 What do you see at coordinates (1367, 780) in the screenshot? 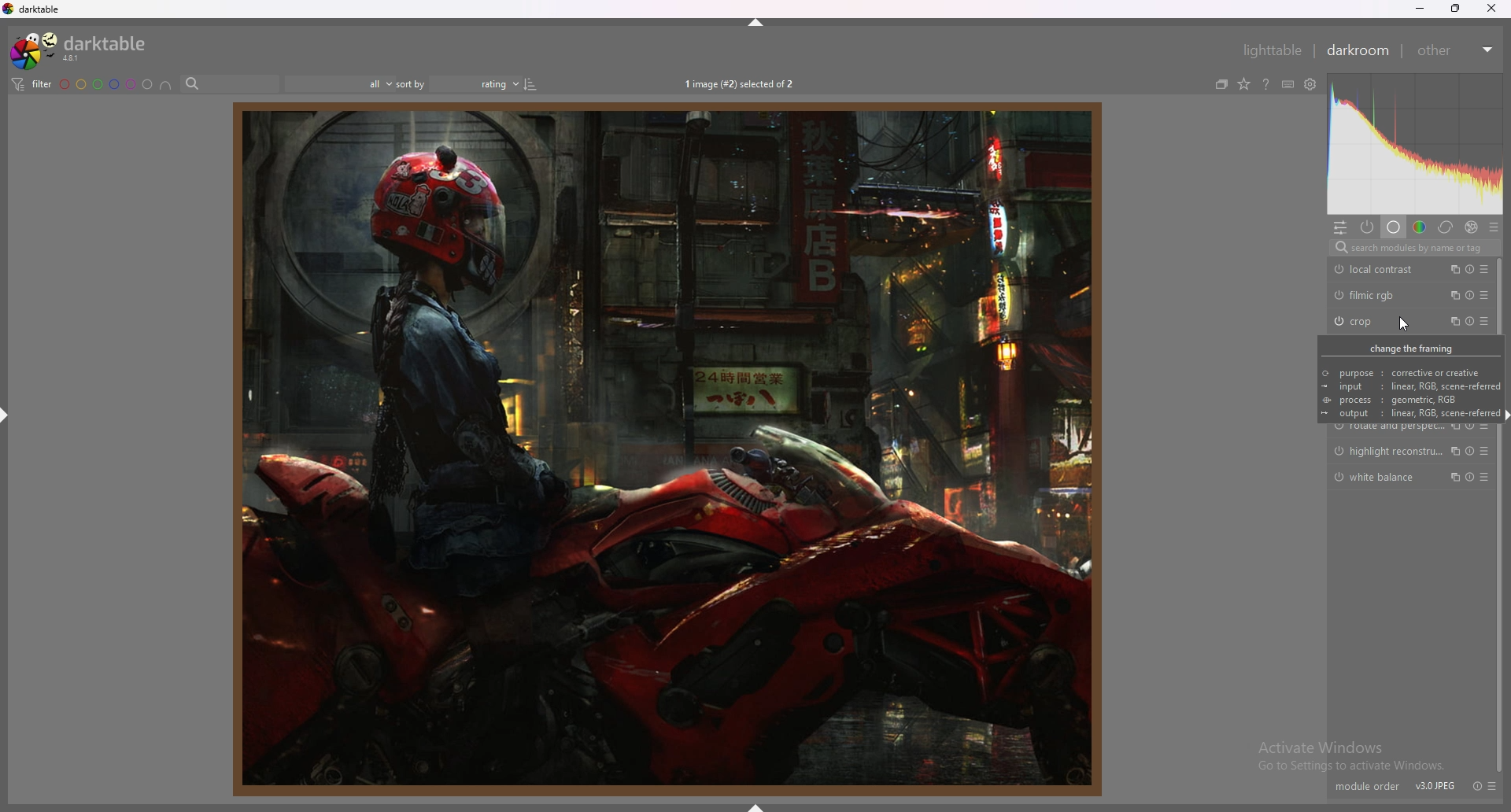
I see `module order` at bounding box center [1367, 780].